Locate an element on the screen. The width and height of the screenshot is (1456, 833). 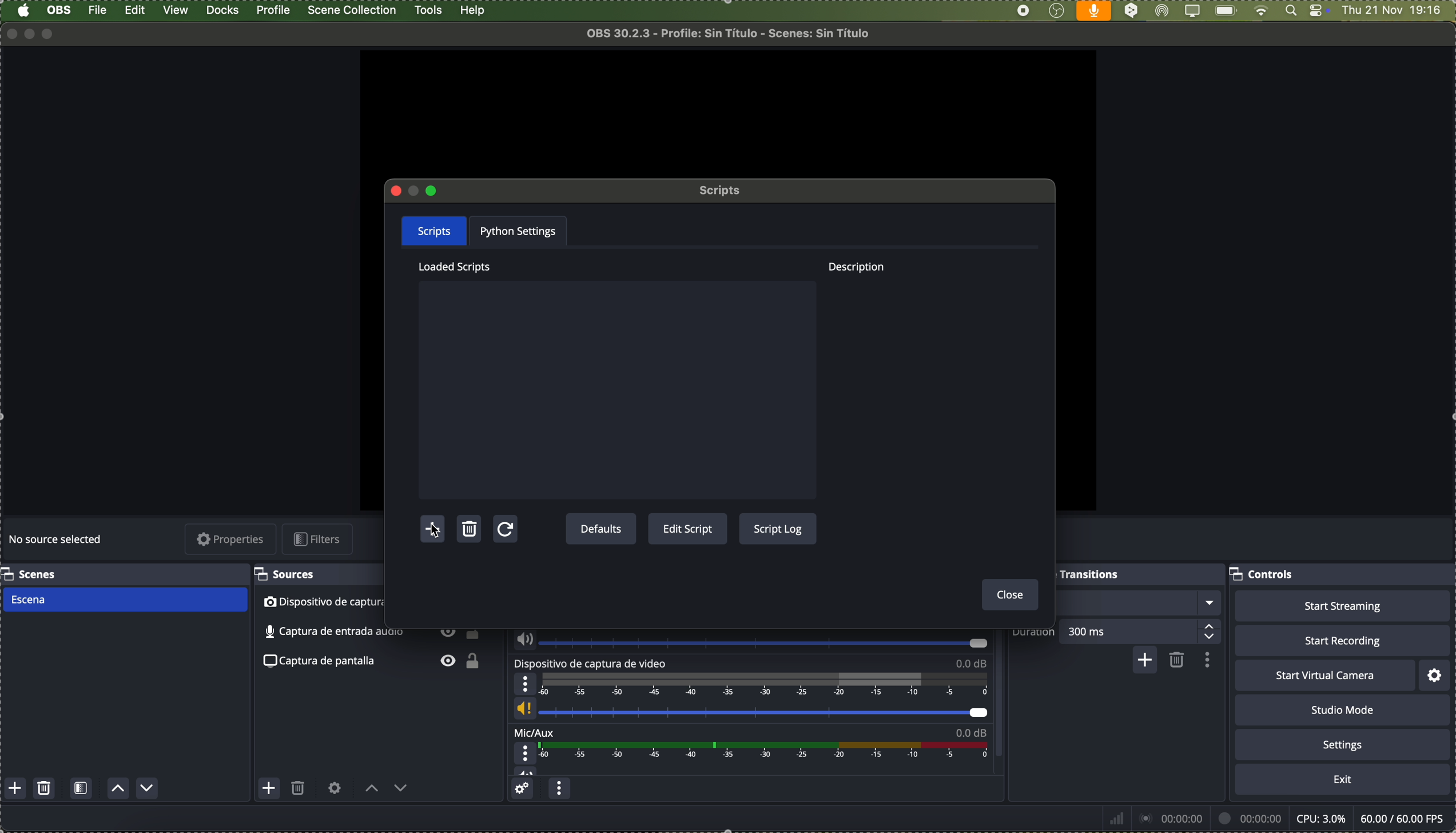
Spotlight search is located at coordinates (1289, 11).